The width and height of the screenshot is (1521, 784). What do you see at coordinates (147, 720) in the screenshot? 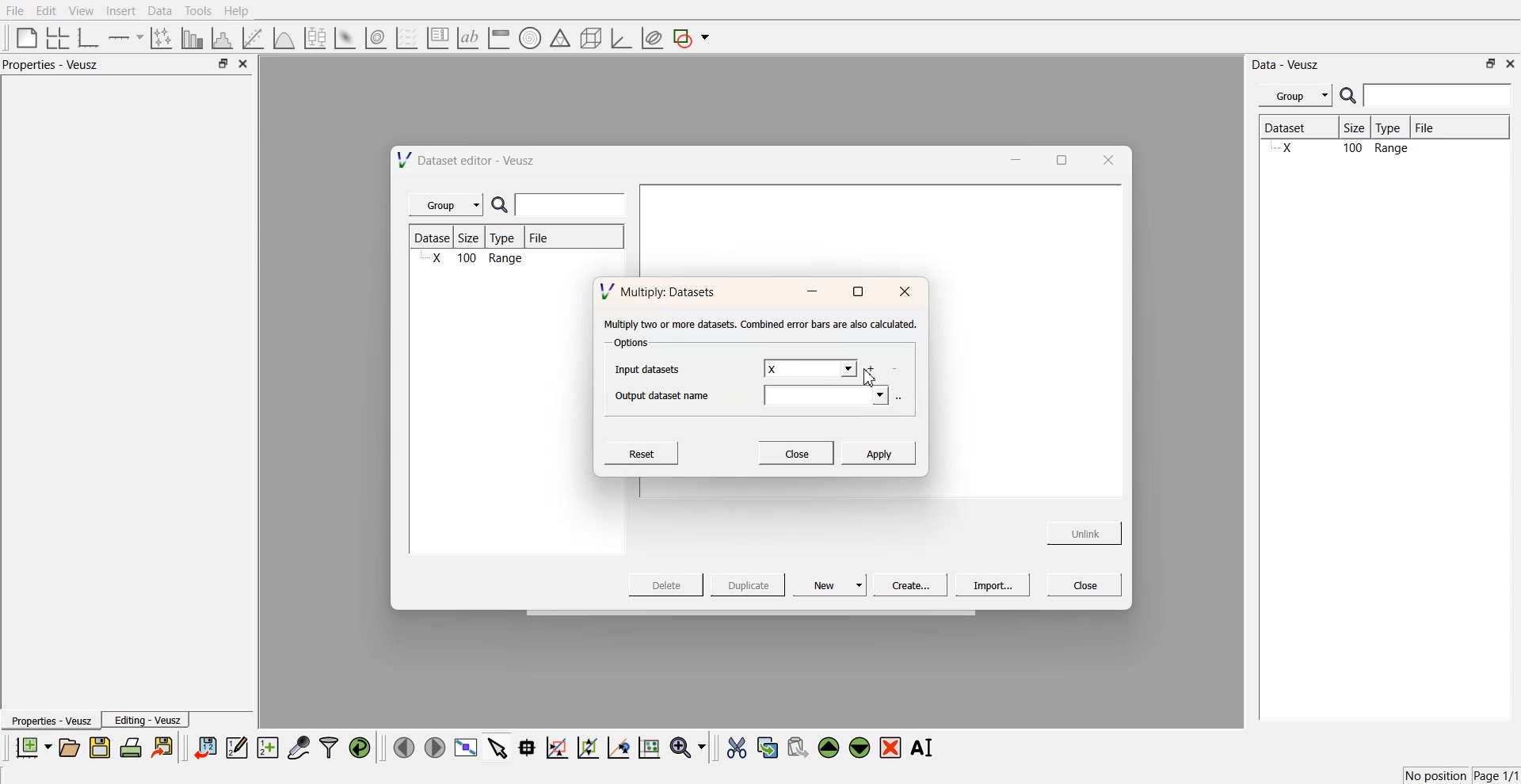
I see `Editing - Veusz` at bounding box center [147, 720].